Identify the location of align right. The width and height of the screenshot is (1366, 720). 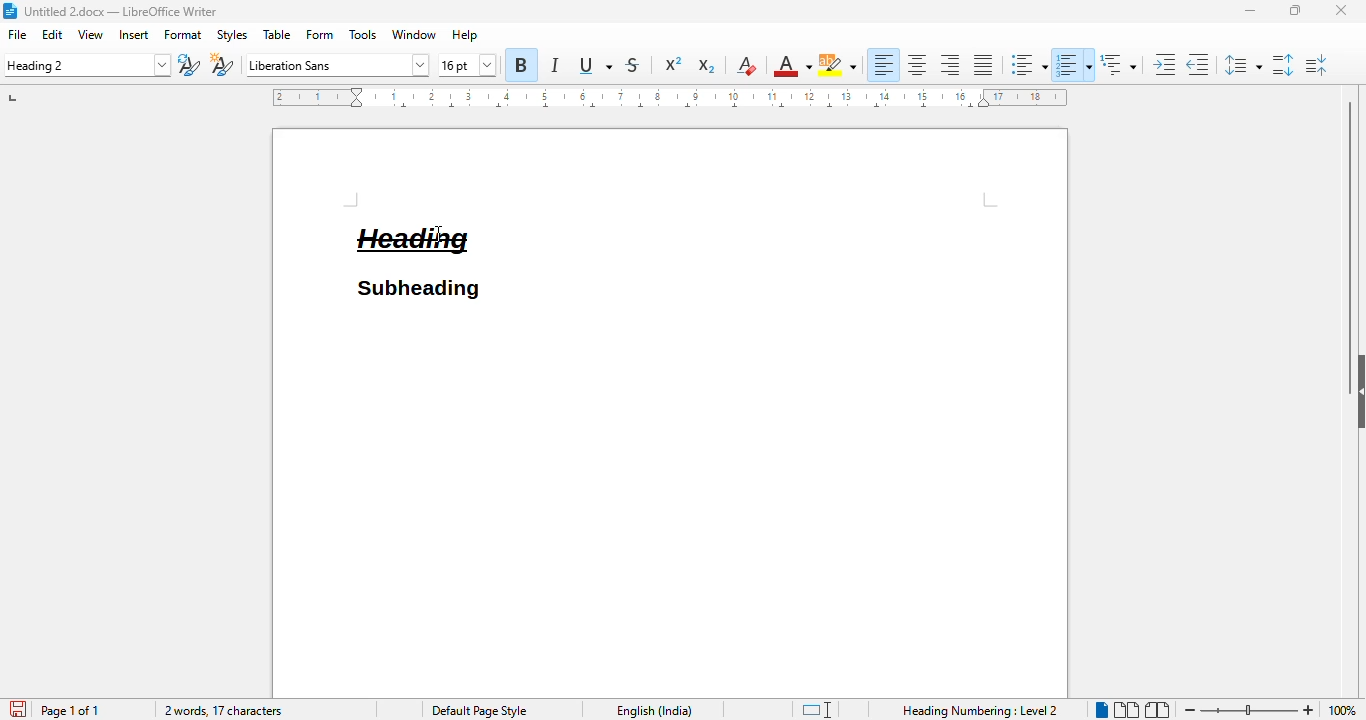
(950, 64).